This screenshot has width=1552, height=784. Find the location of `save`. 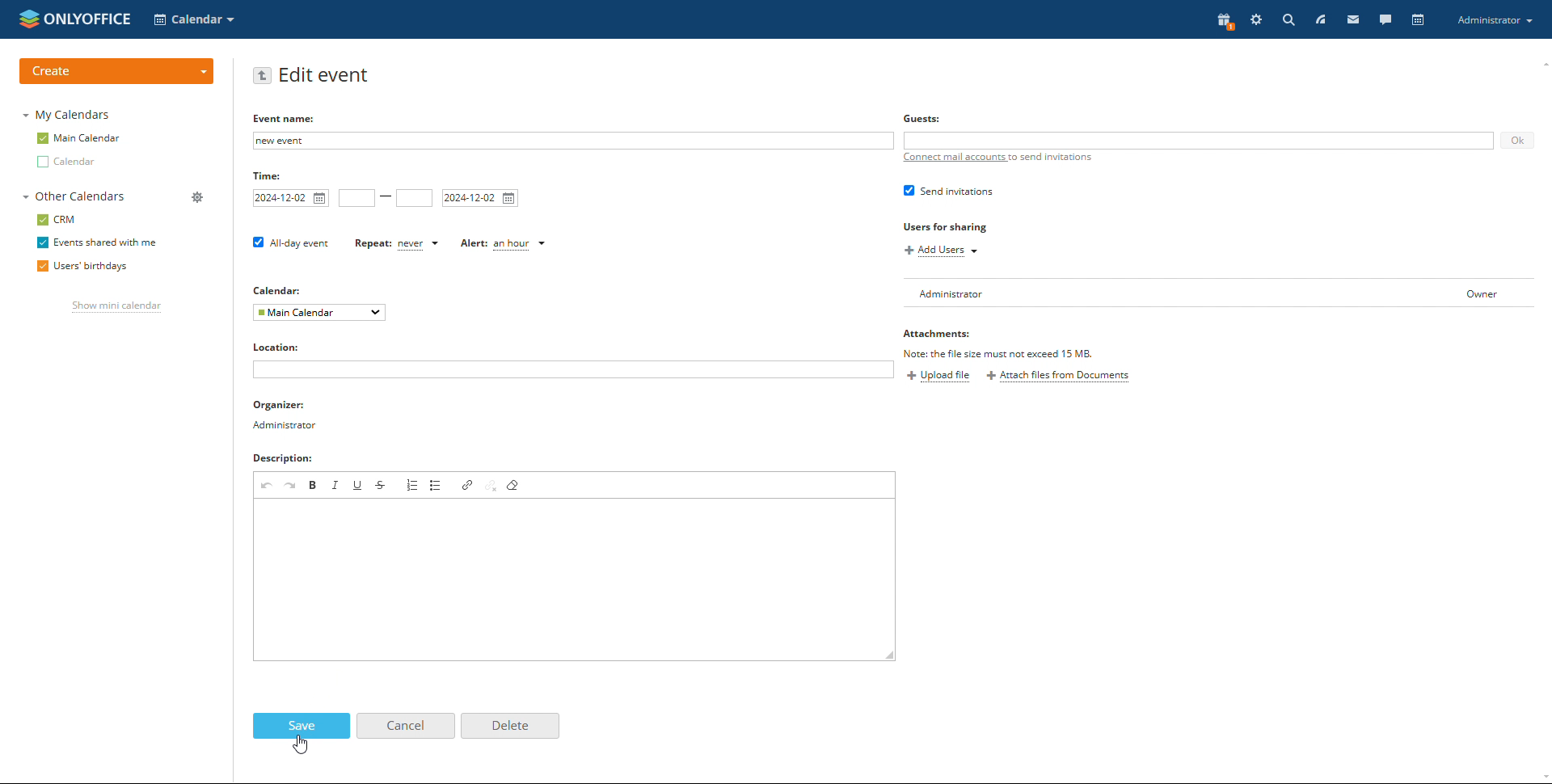

save is located at coordinates (301, 726).